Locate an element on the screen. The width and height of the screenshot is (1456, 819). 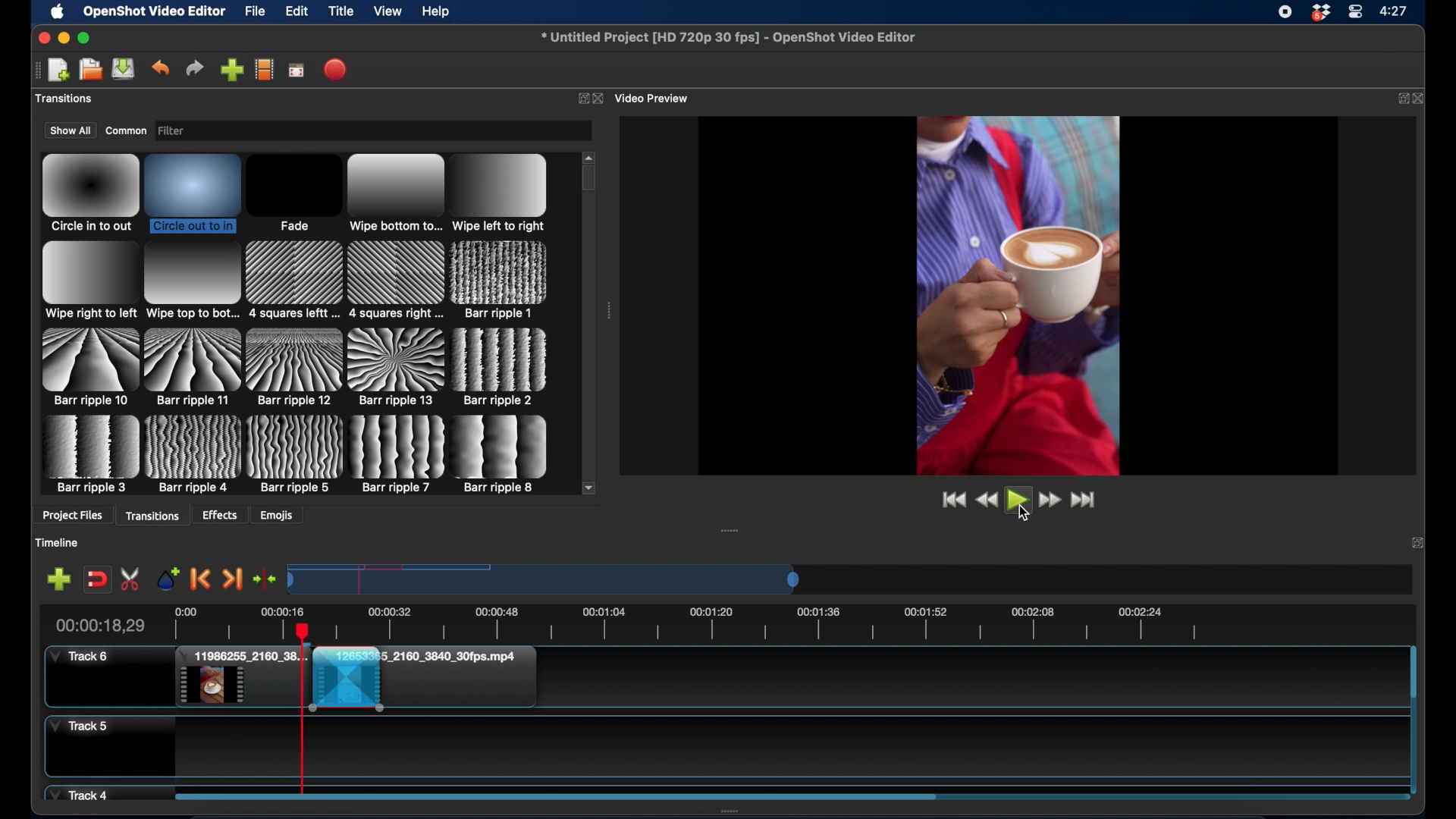
scroll down arrow is located at coordinates (589, 487).